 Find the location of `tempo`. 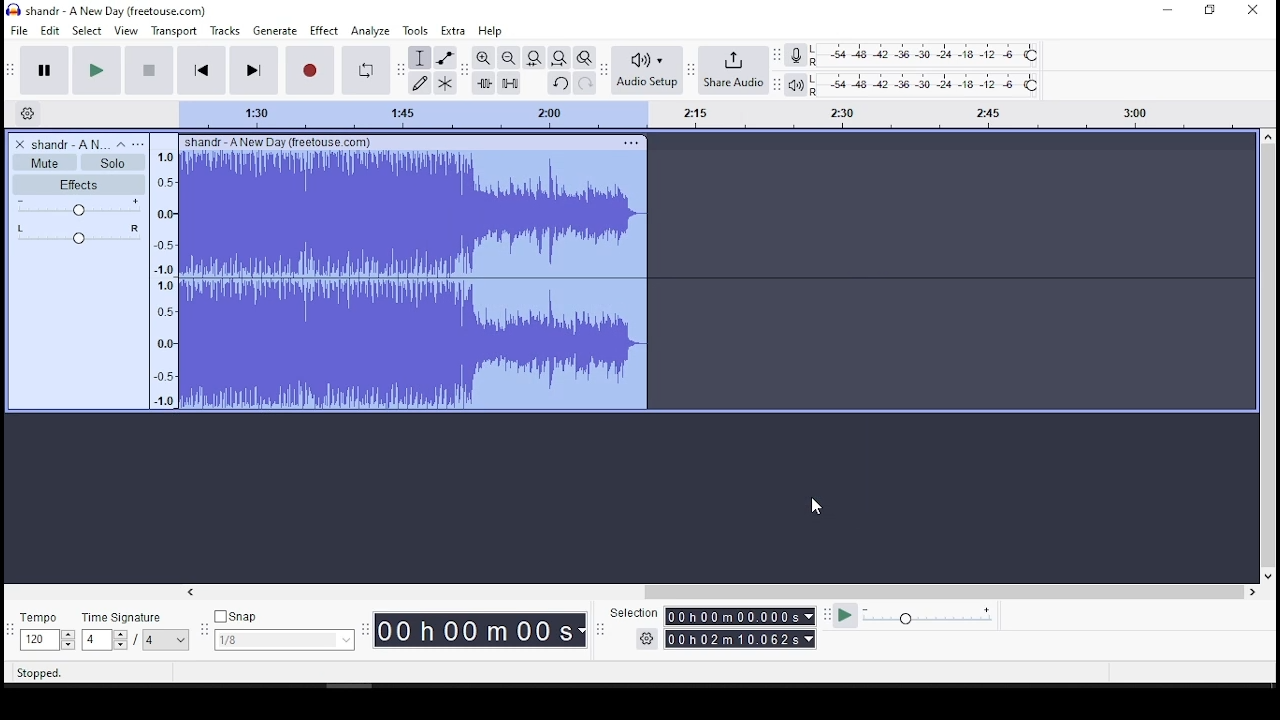

tempo is located at coordinates (46, 630).